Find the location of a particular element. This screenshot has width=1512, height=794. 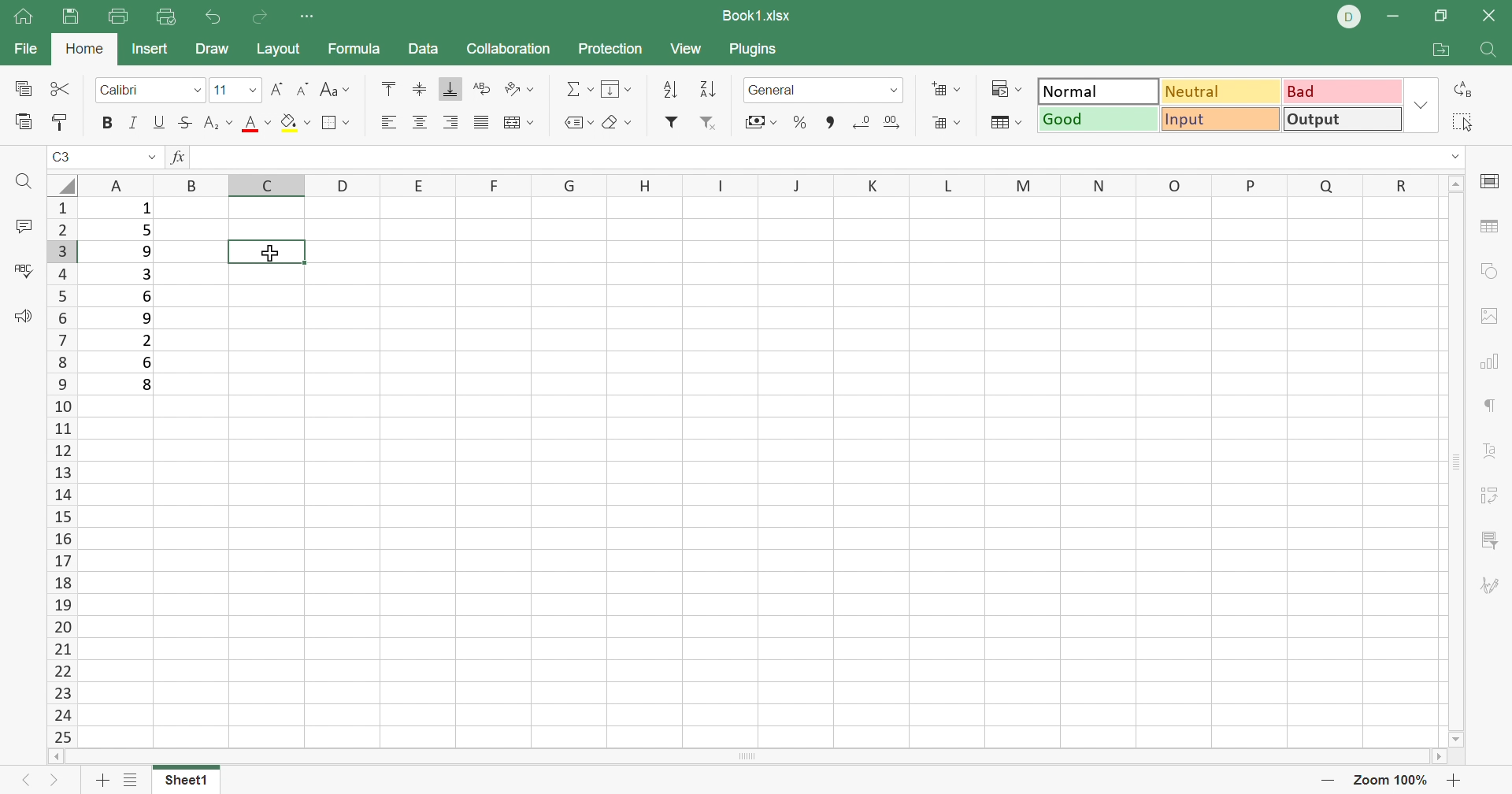

Fill is located at coordinates (617, 90).